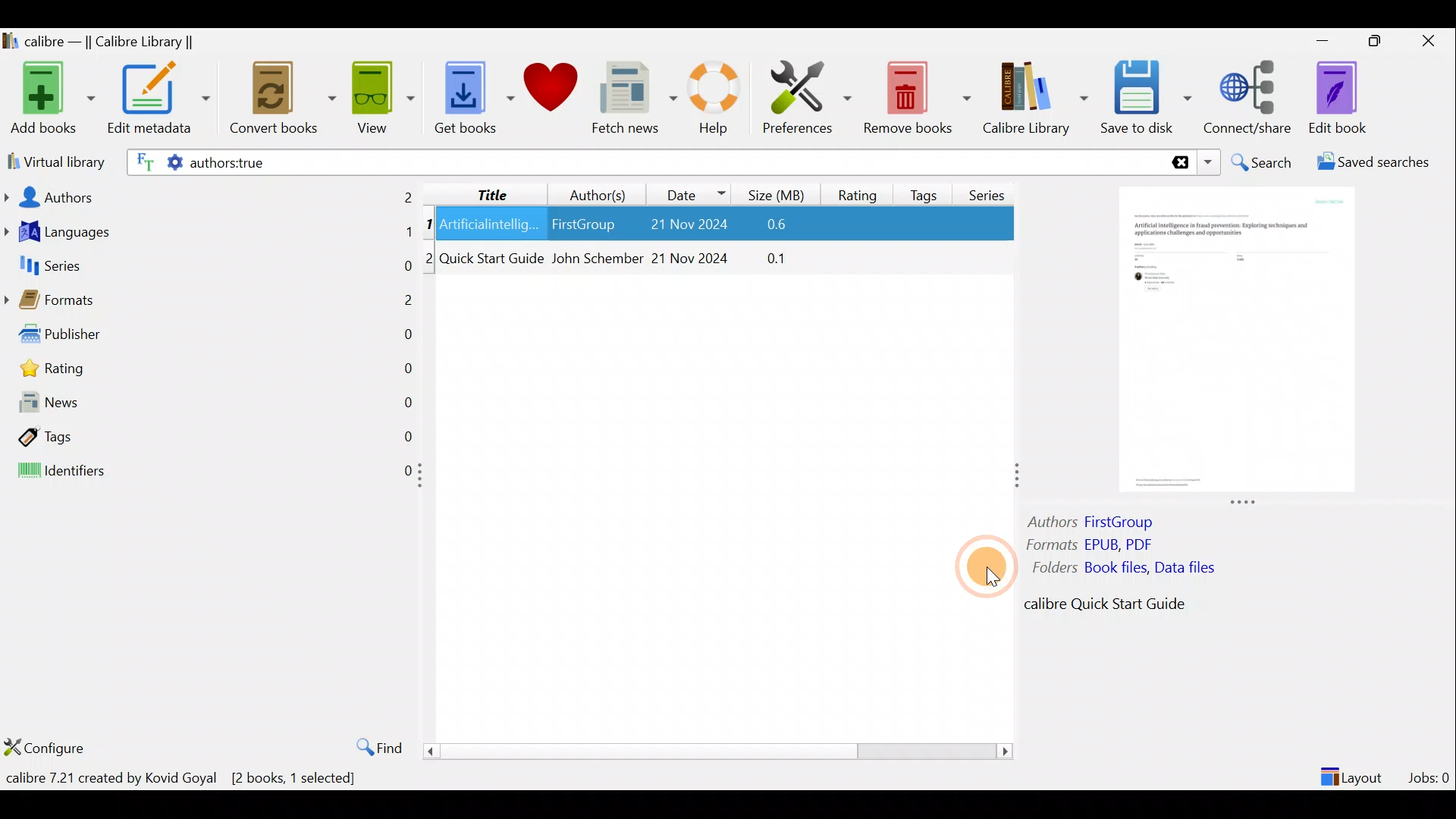 This screenshot has width=1456, height=819. What do you see at coordinates (595, 260) in the screenshot?
I see `John Schember` at bounding box center [595, 260].